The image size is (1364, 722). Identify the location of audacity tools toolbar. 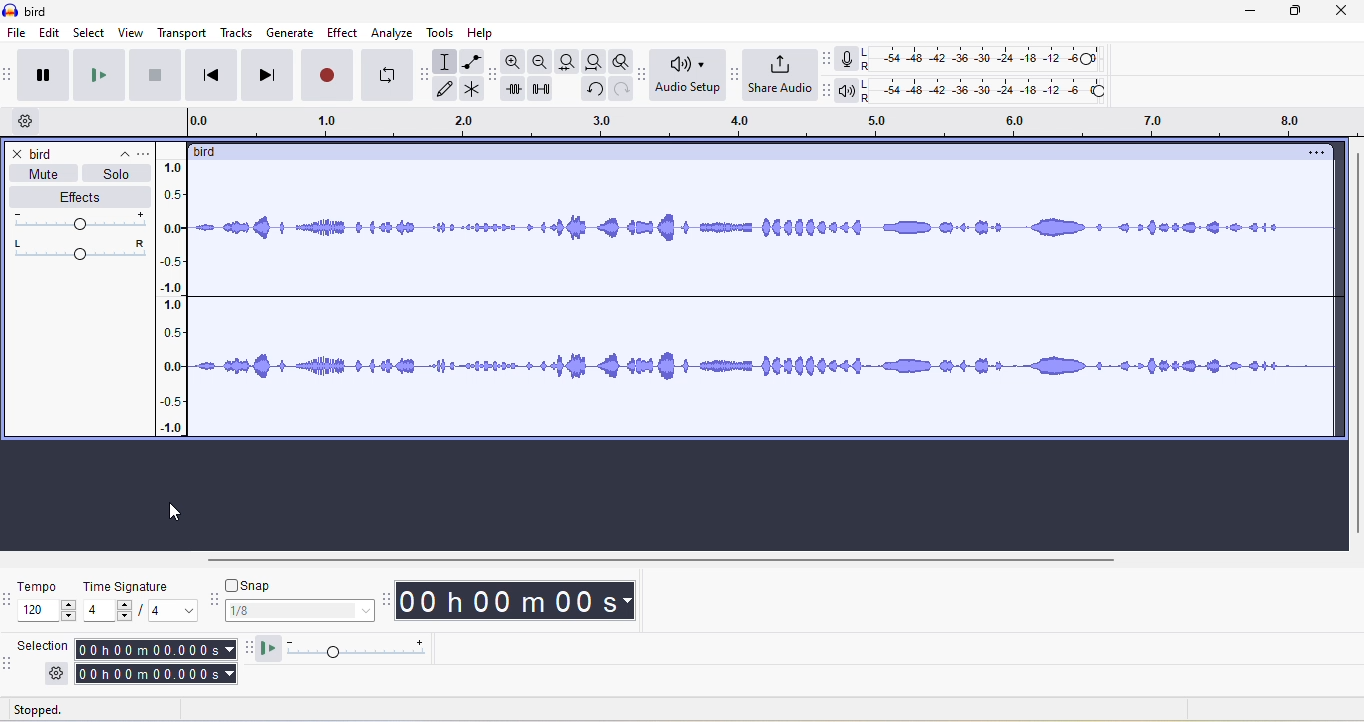
(428, 71).